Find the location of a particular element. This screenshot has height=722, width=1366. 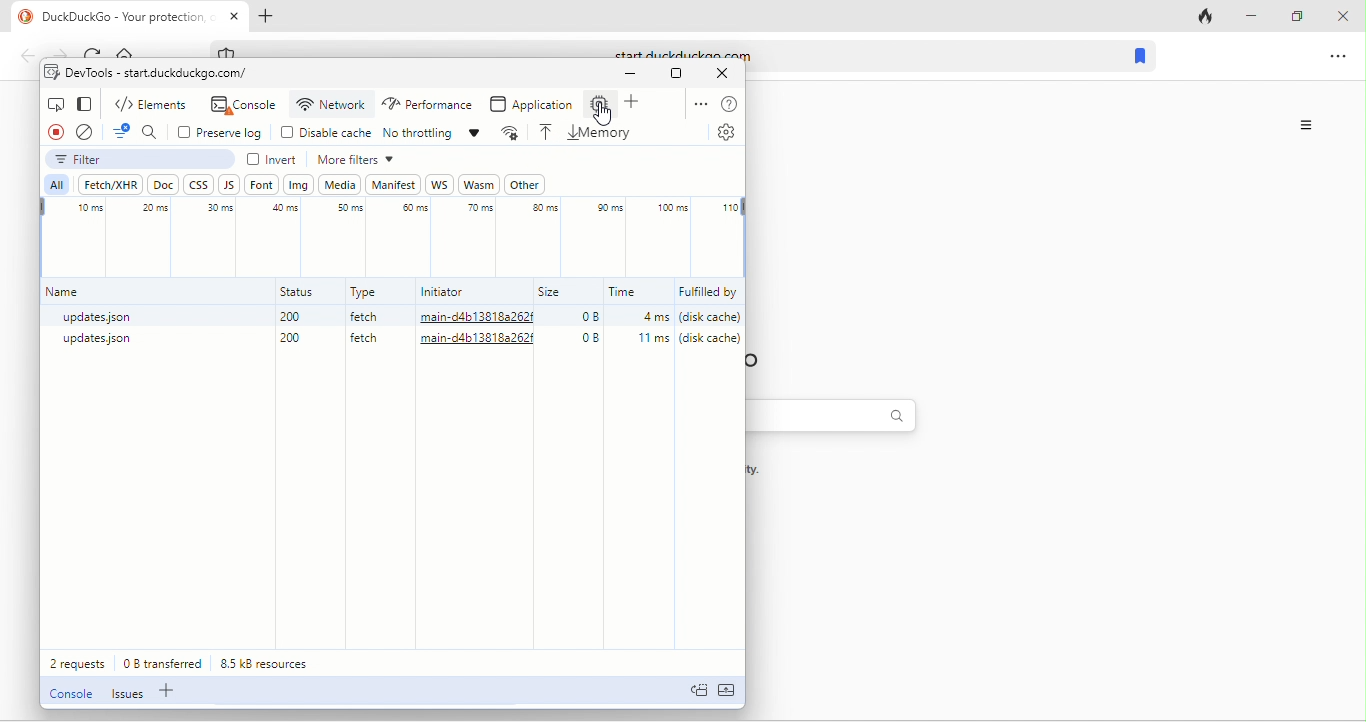

200 is located at coordinates (297, 341).